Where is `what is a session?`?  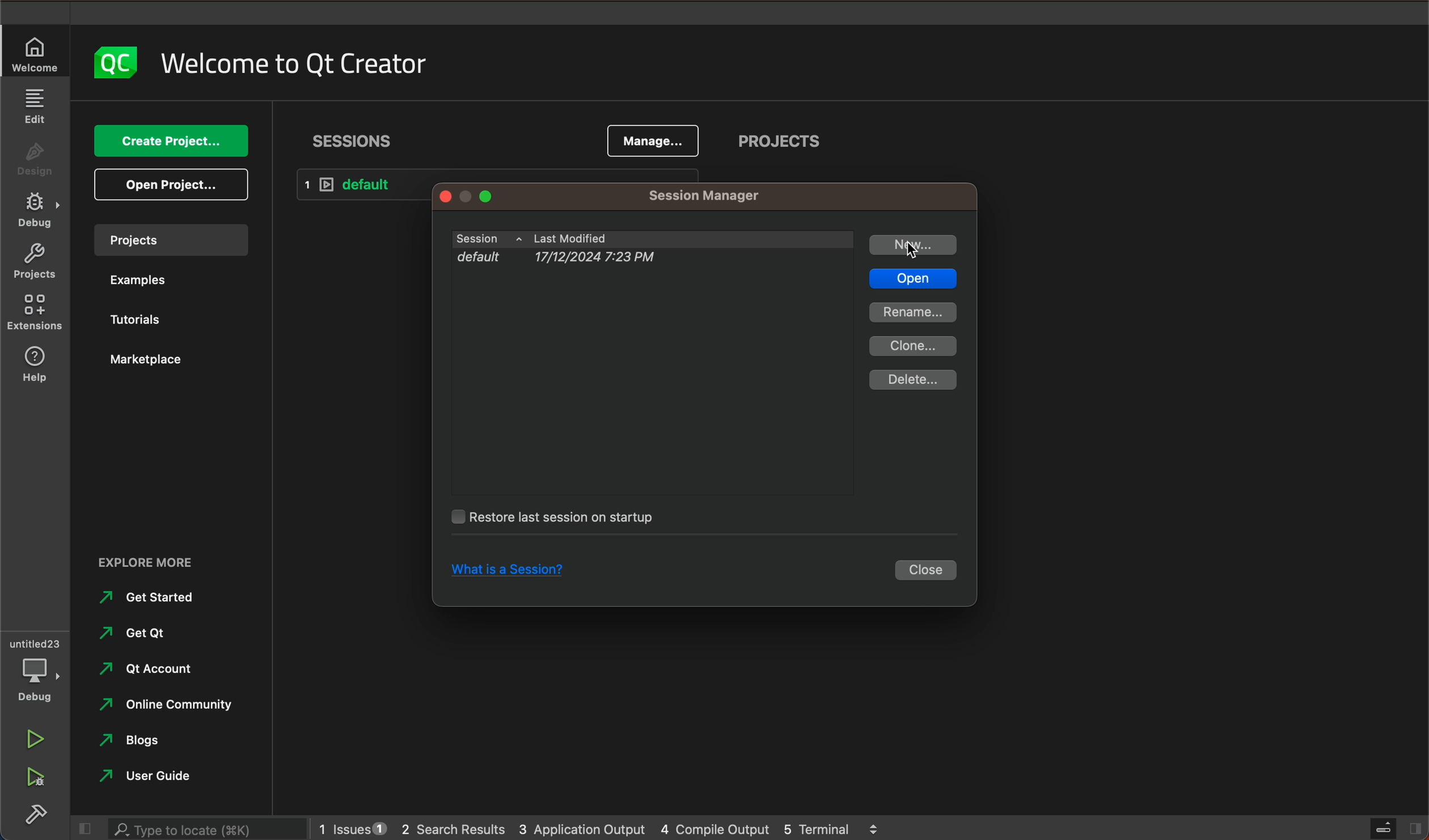
what is a session? is located at coordinates (502, 571).